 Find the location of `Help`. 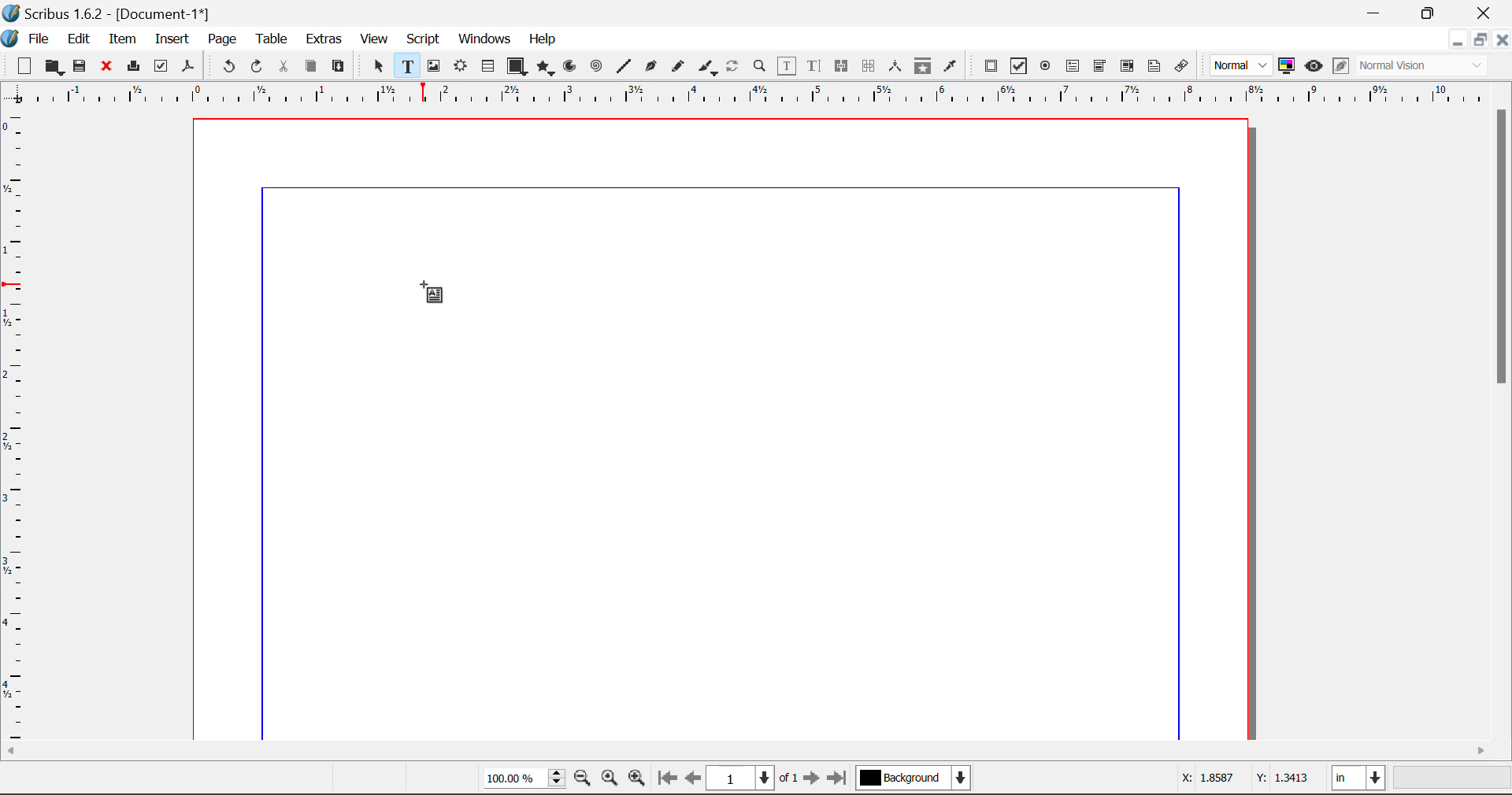

Help is located at coordinates (543, 39).